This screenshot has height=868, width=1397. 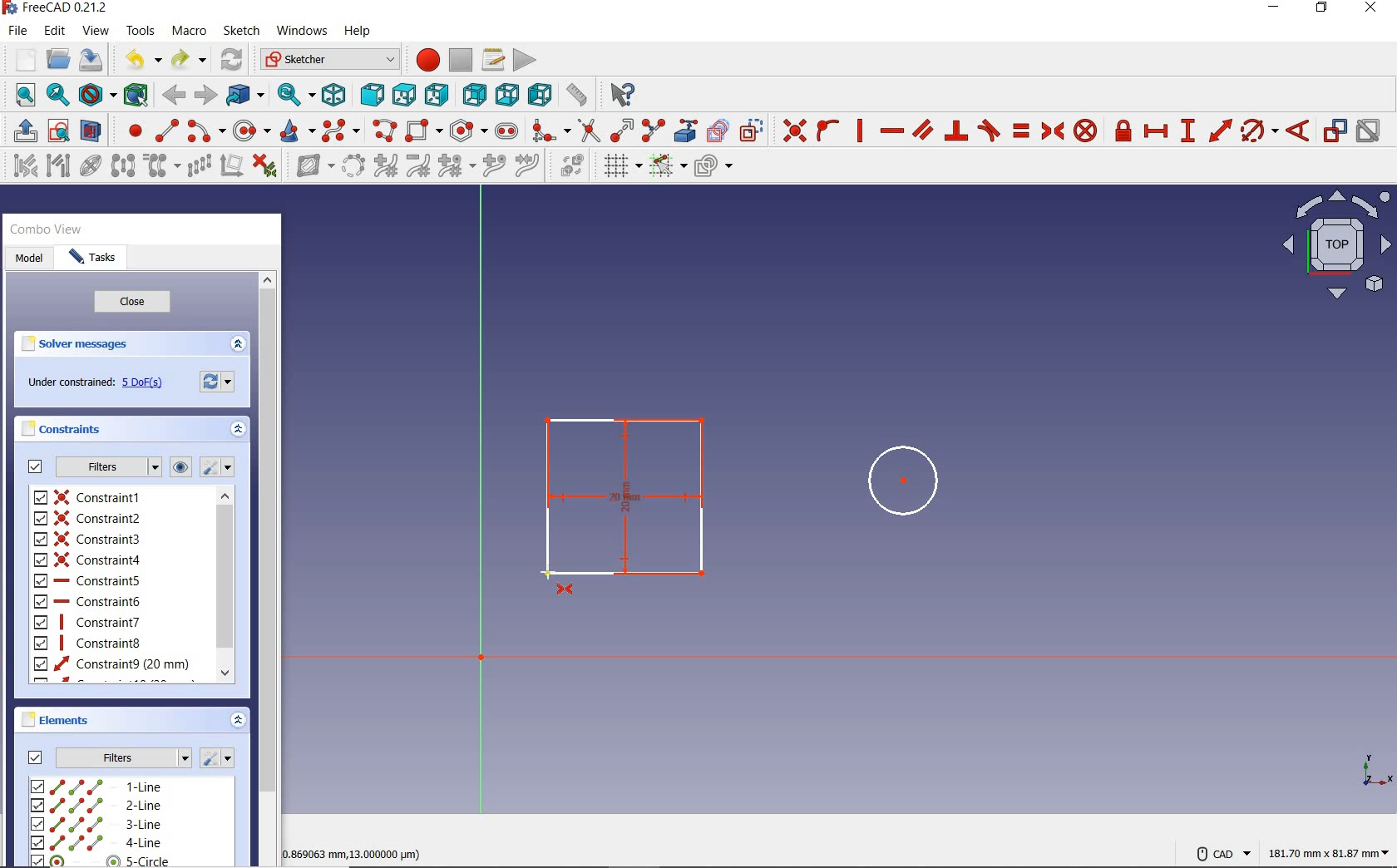 I want to click on constraint7, so click(x=88, y=622).